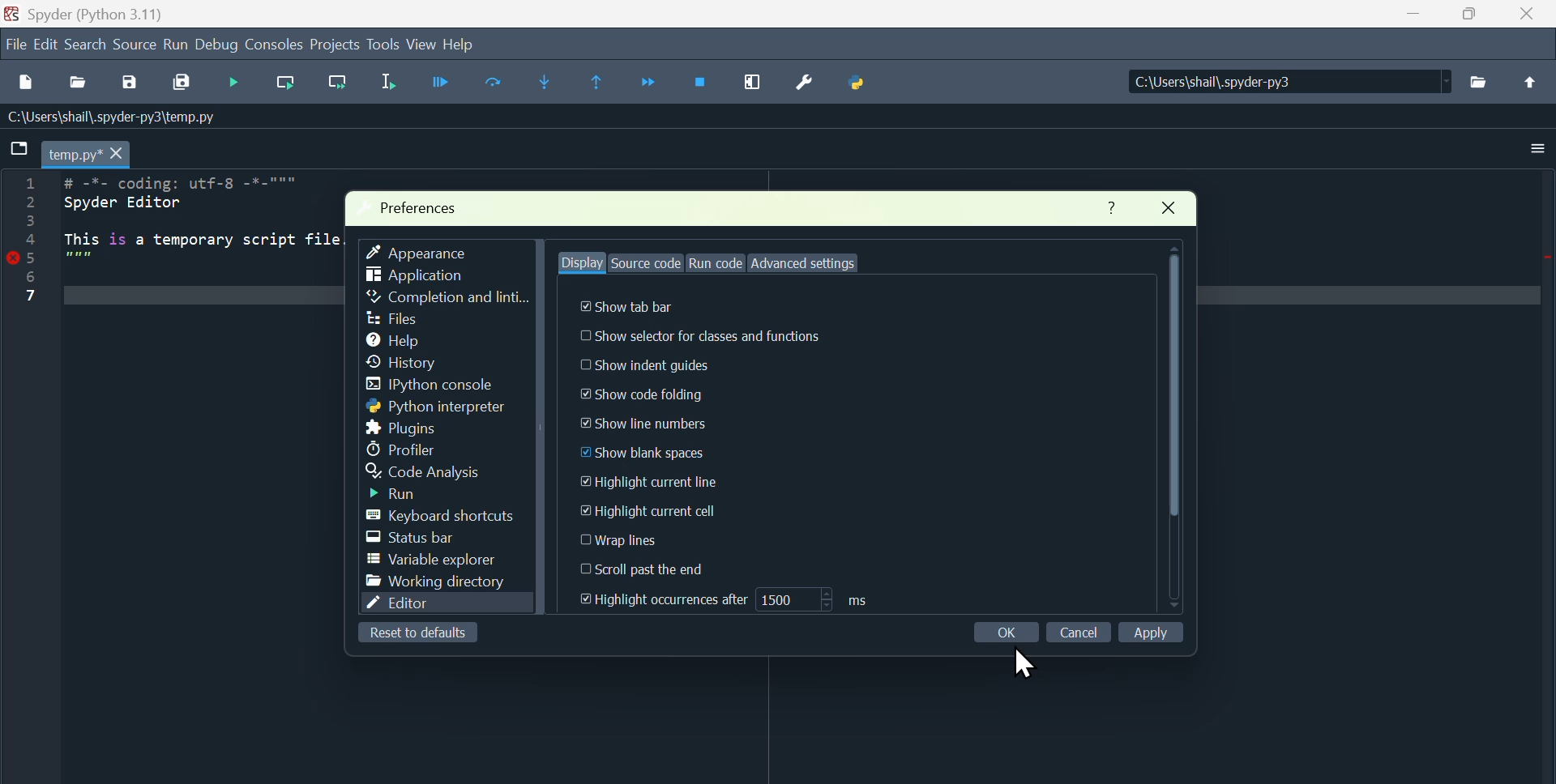 Image resolution: width=1556 pixels, height=784 pixels. What do you see at coordinates (447, 472) in the screenshot?
I see `code analysis` at bounding box center [447, 472].